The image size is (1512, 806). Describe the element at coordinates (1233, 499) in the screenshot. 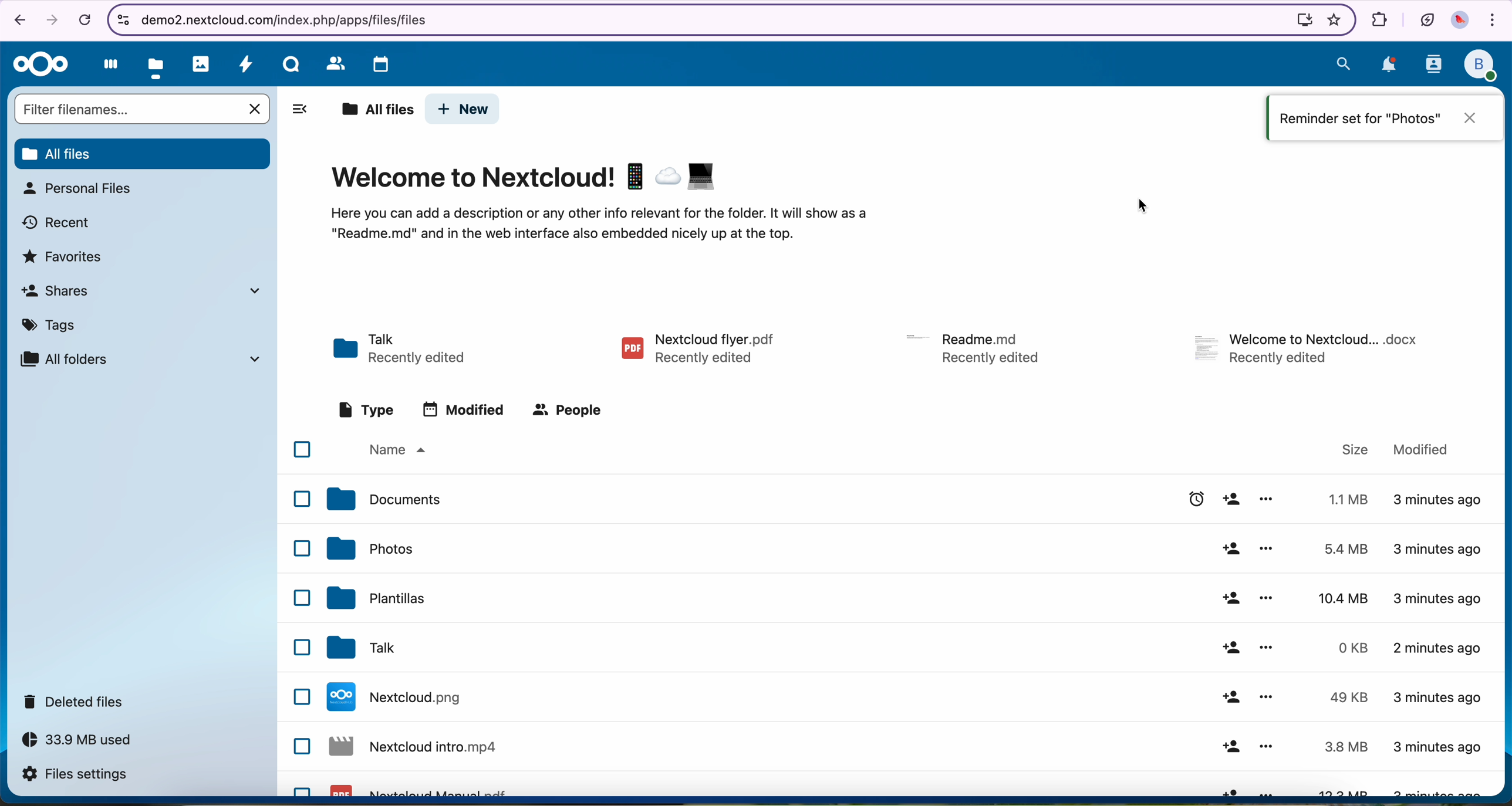

I see `share` at that location.